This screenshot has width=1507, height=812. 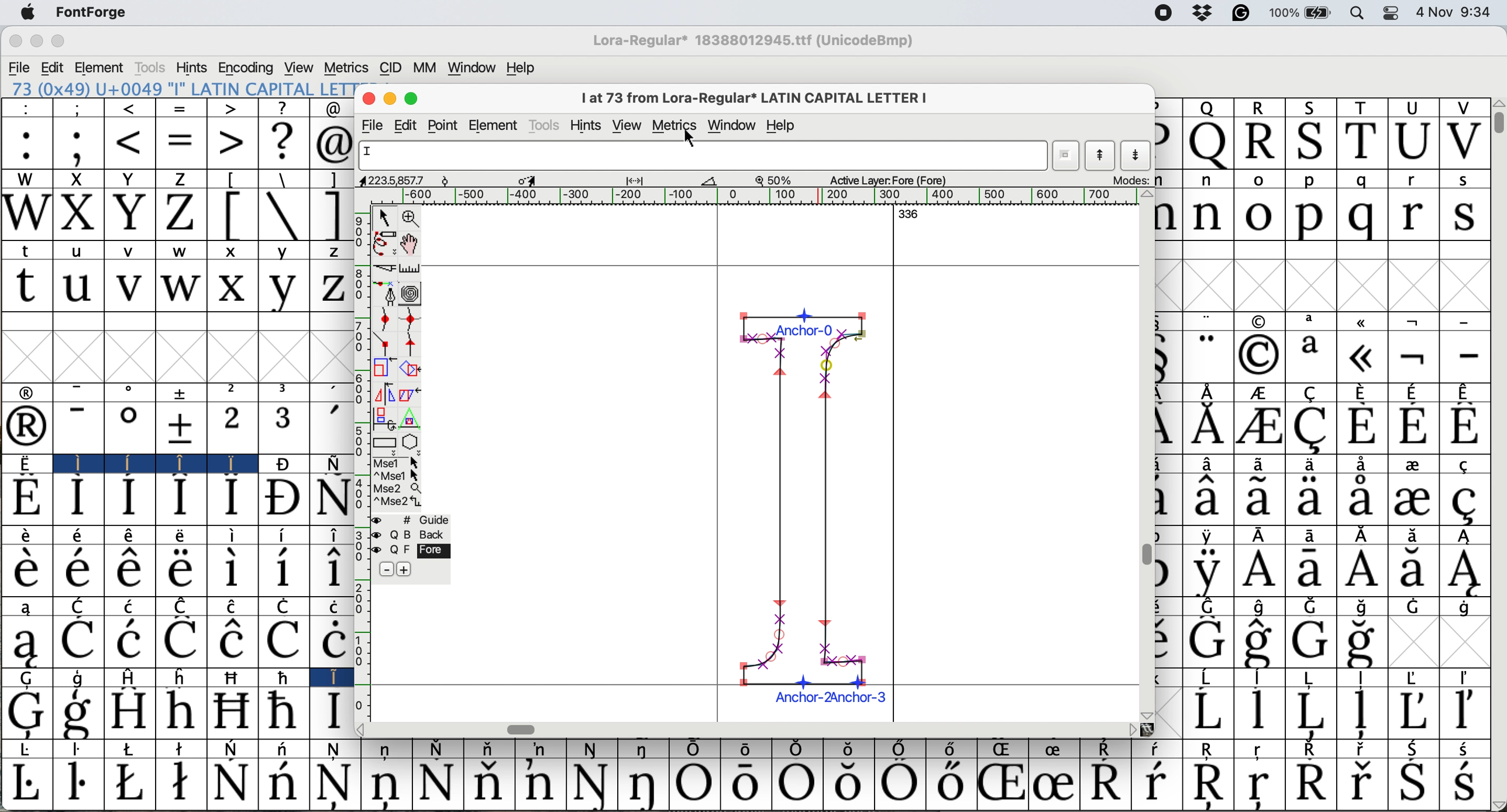 What do you see at coordinates (331, 641) in the screenshot?
I see `Symbol` at bounding box center [331, 641].